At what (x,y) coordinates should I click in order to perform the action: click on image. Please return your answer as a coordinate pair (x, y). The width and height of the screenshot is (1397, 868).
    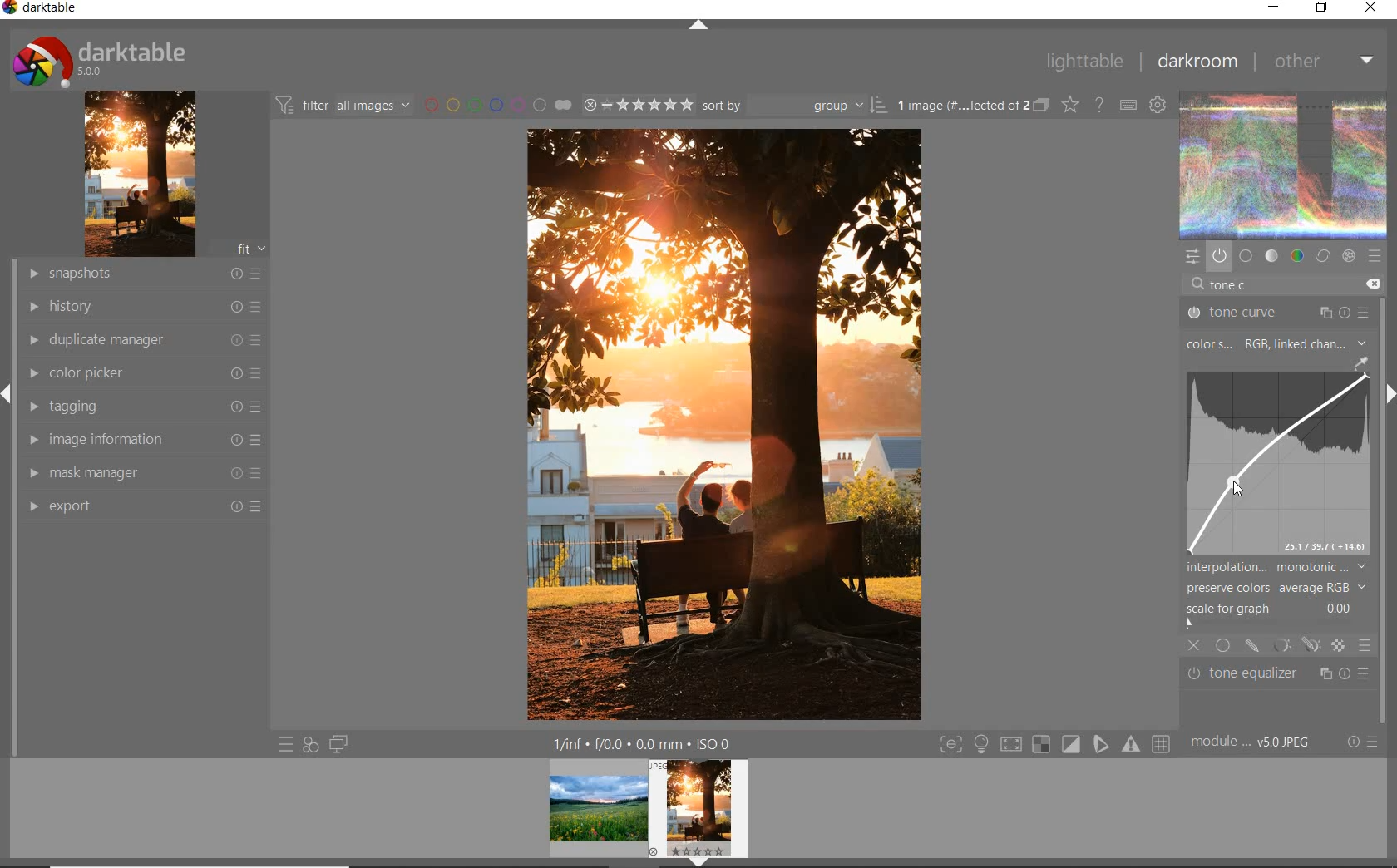
    Looking at the image, I should click on (140, 174).